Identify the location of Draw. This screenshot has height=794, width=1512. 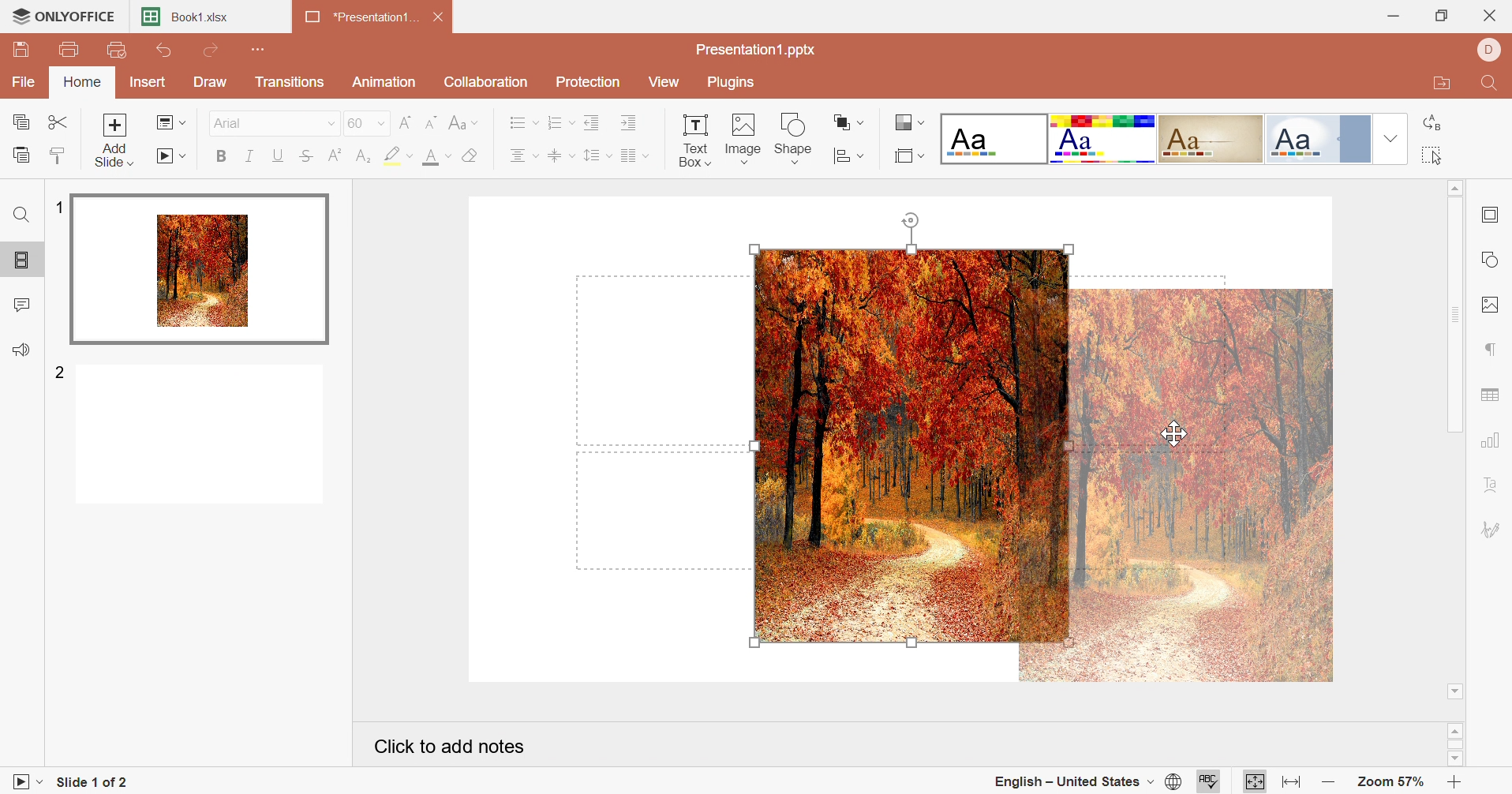
(211, 81).